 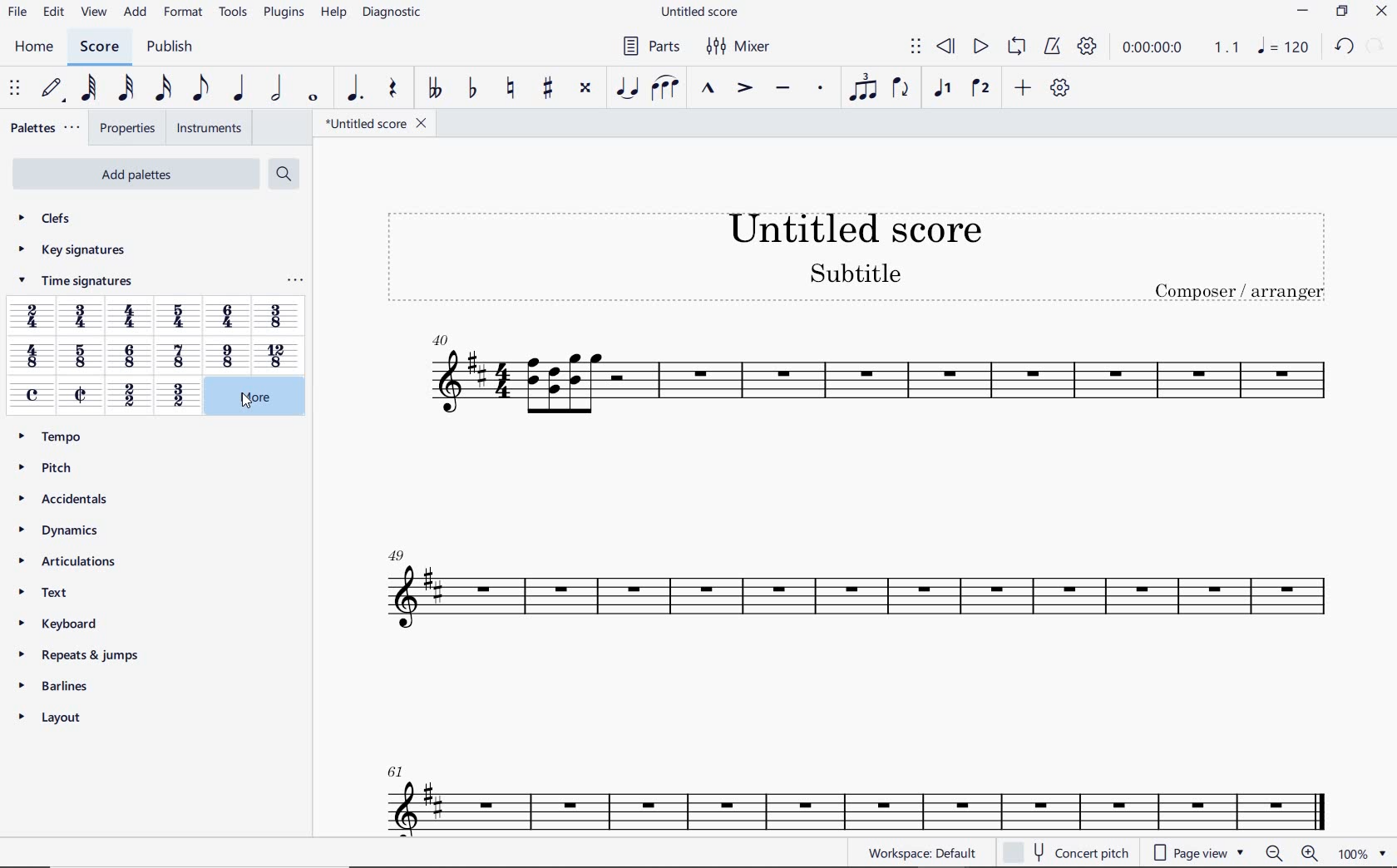 What do you see at coordinates (128, 397) in the screenshot?
I see `2/2` at bounding box center [128, 397].